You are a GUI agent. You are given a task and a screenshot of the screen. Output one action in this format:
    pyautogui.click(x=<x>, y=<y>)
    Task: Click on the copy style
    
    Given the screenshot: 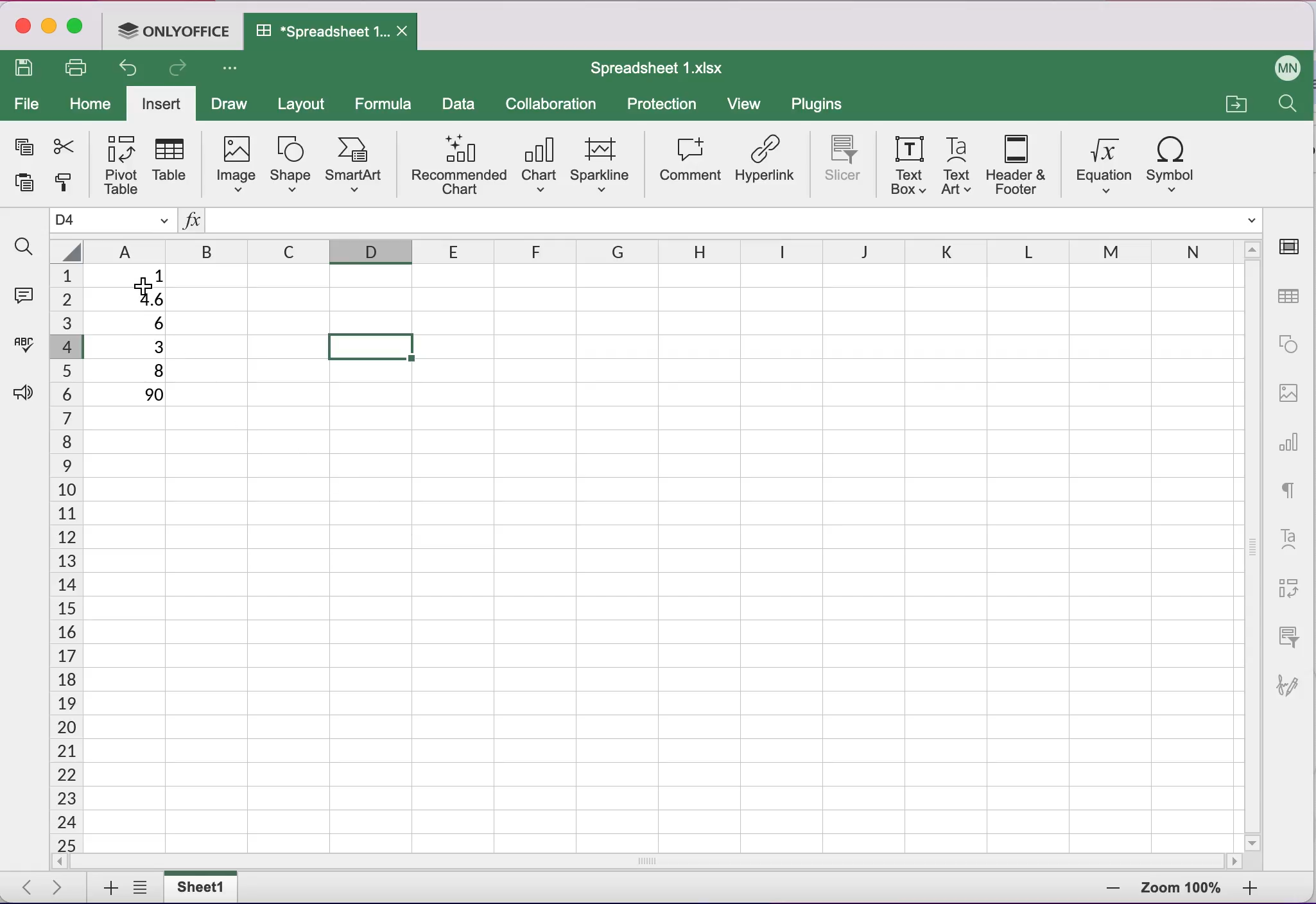 What is the action you would take?
    pyautogui.click(x=60, y=184)
    